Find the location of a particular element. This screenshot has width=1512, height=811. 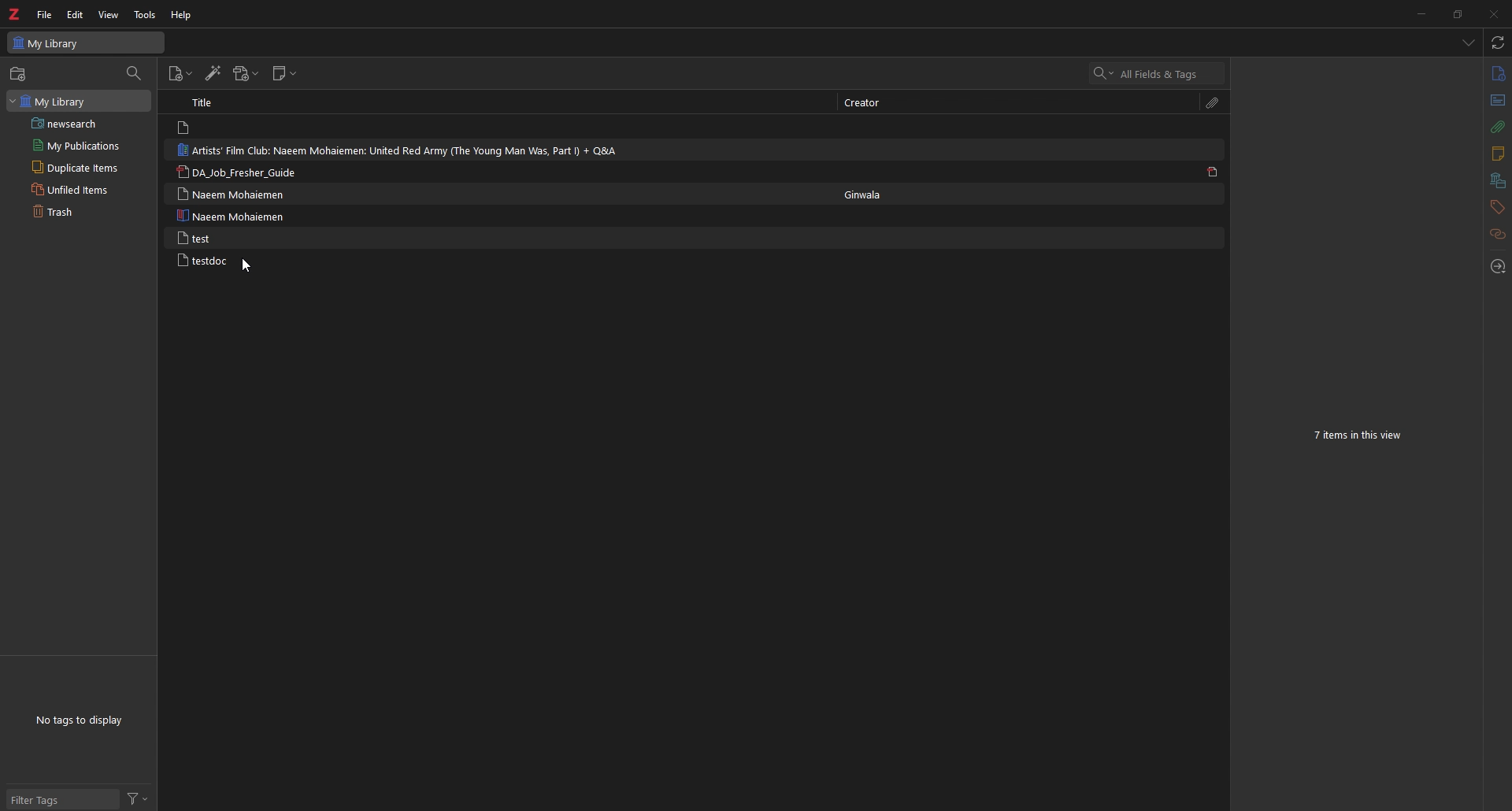

No tags to display is located at coordinates (83, 720).